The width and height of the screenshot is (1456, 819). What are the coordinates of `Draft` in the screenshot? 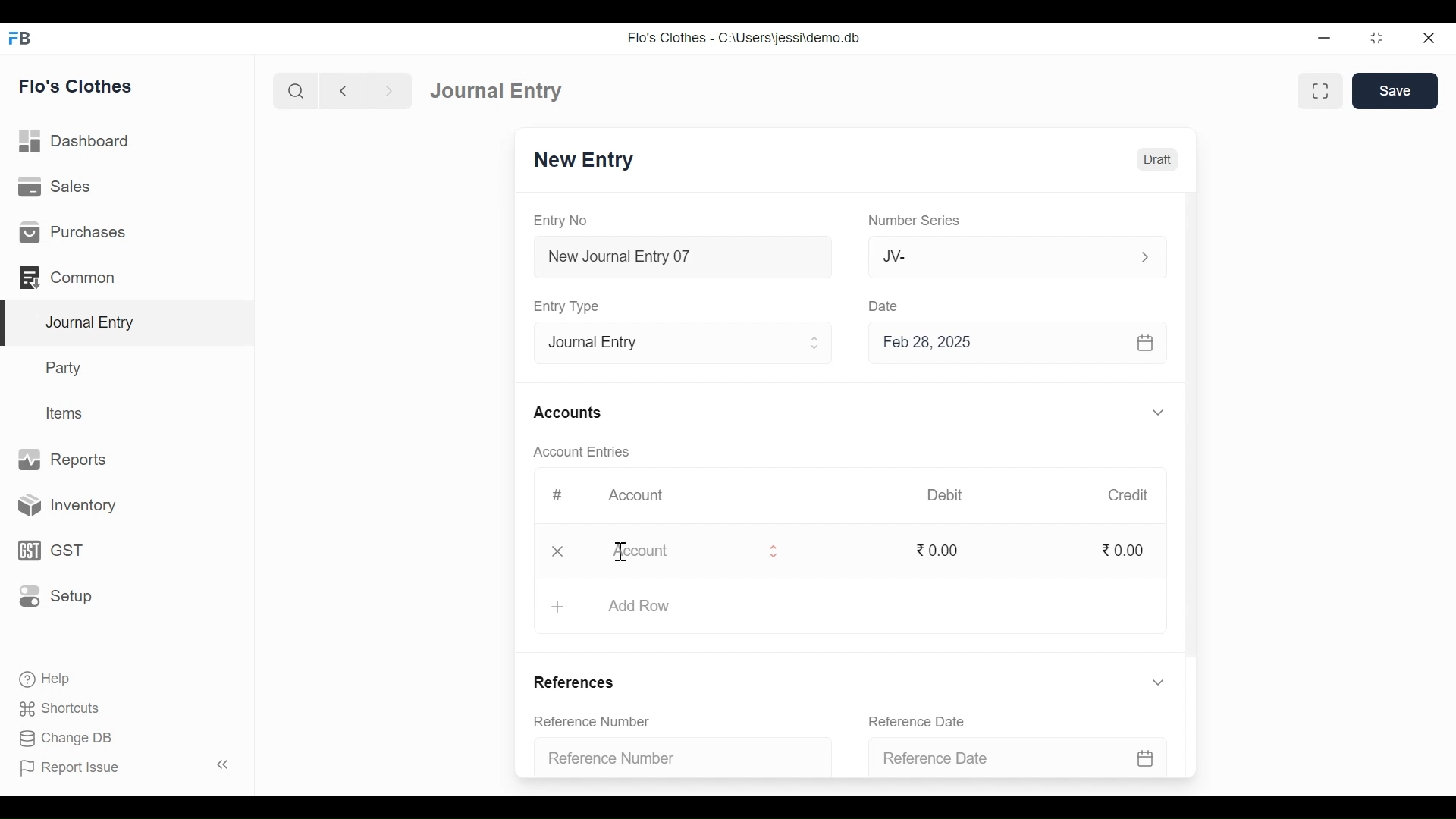 It's located at (1154, 160).